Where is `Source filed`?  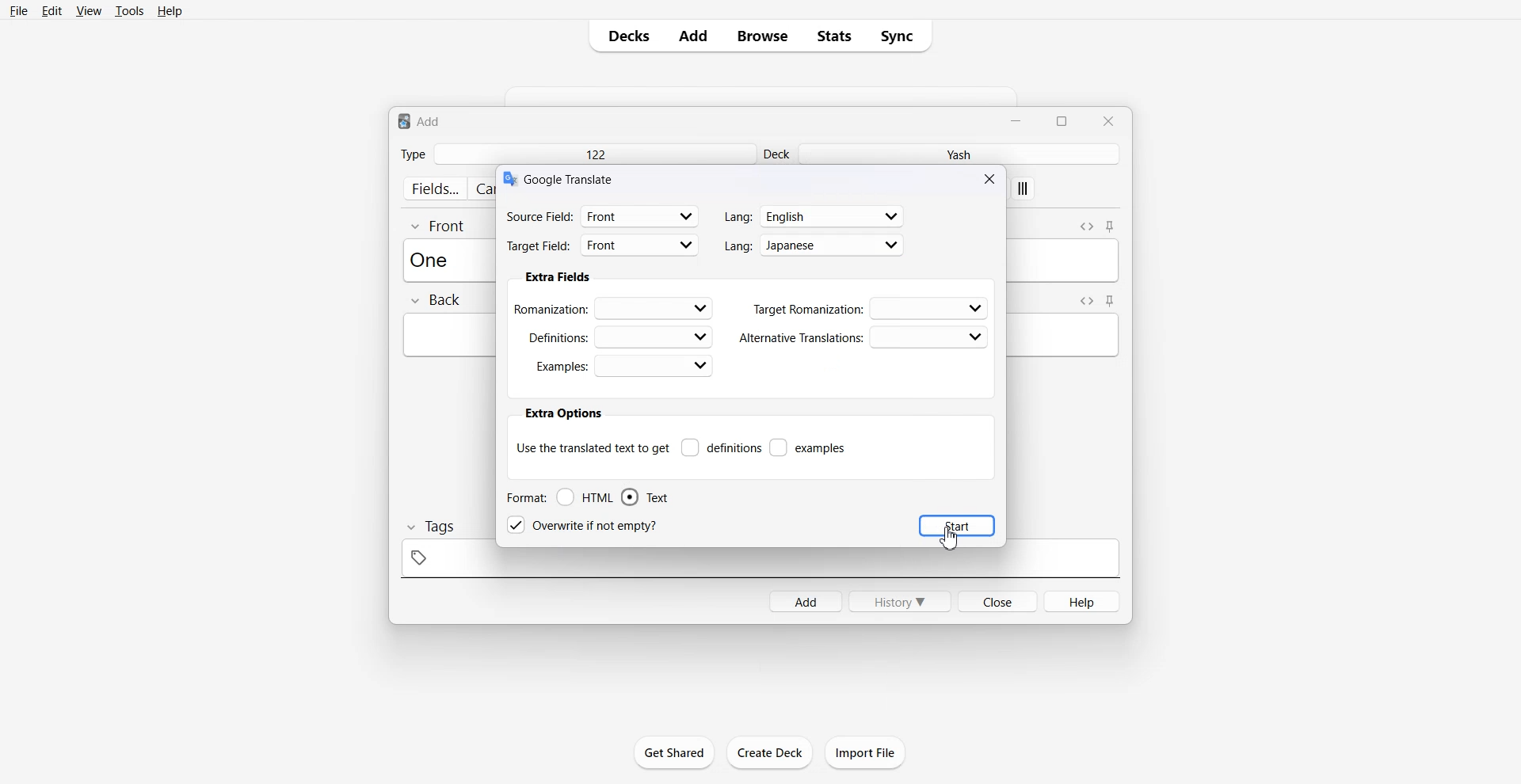
Source filed is located at coordinates (603, 215).